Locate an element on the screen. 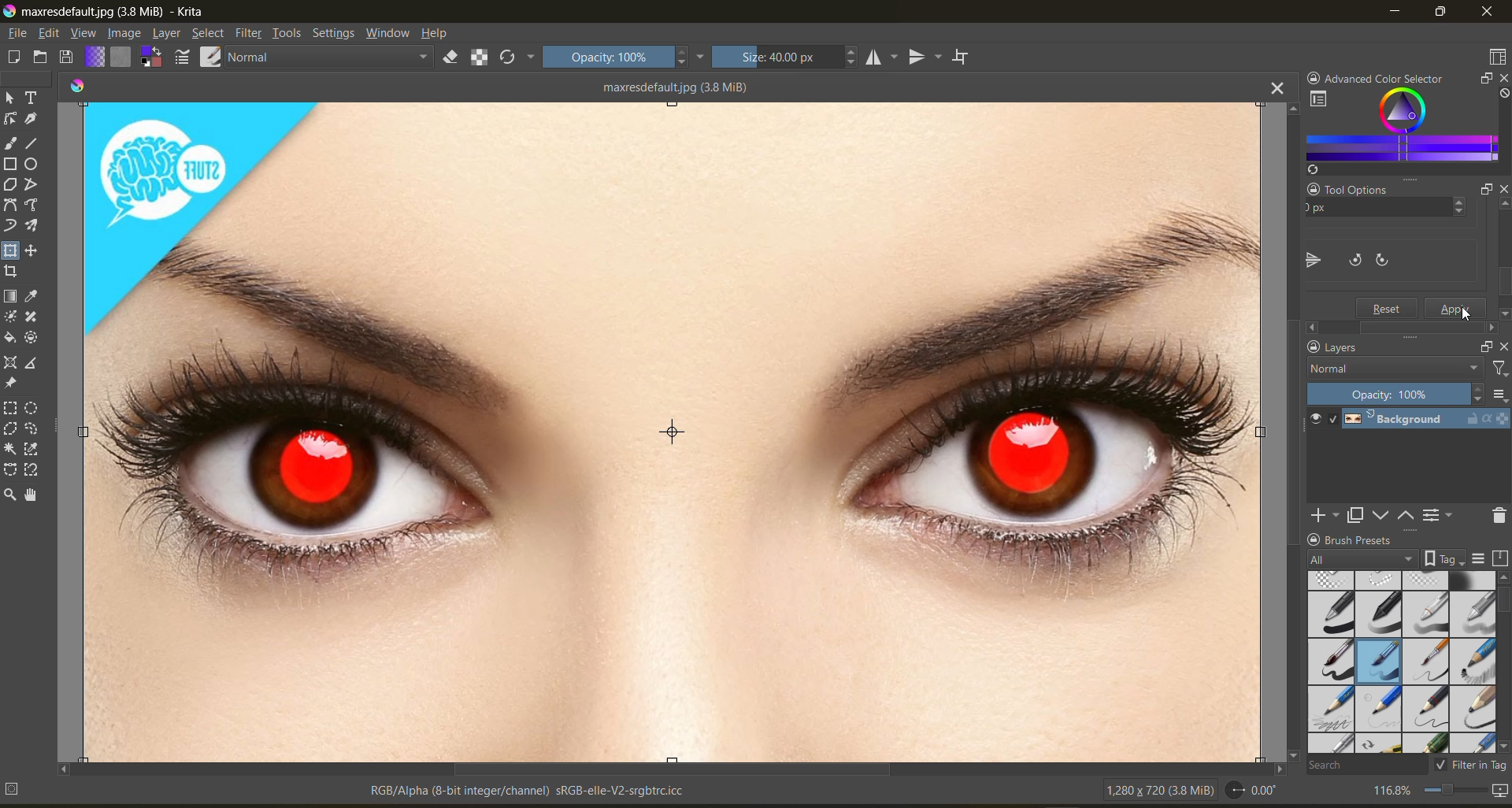  tool is located at coordinates (9, 496).